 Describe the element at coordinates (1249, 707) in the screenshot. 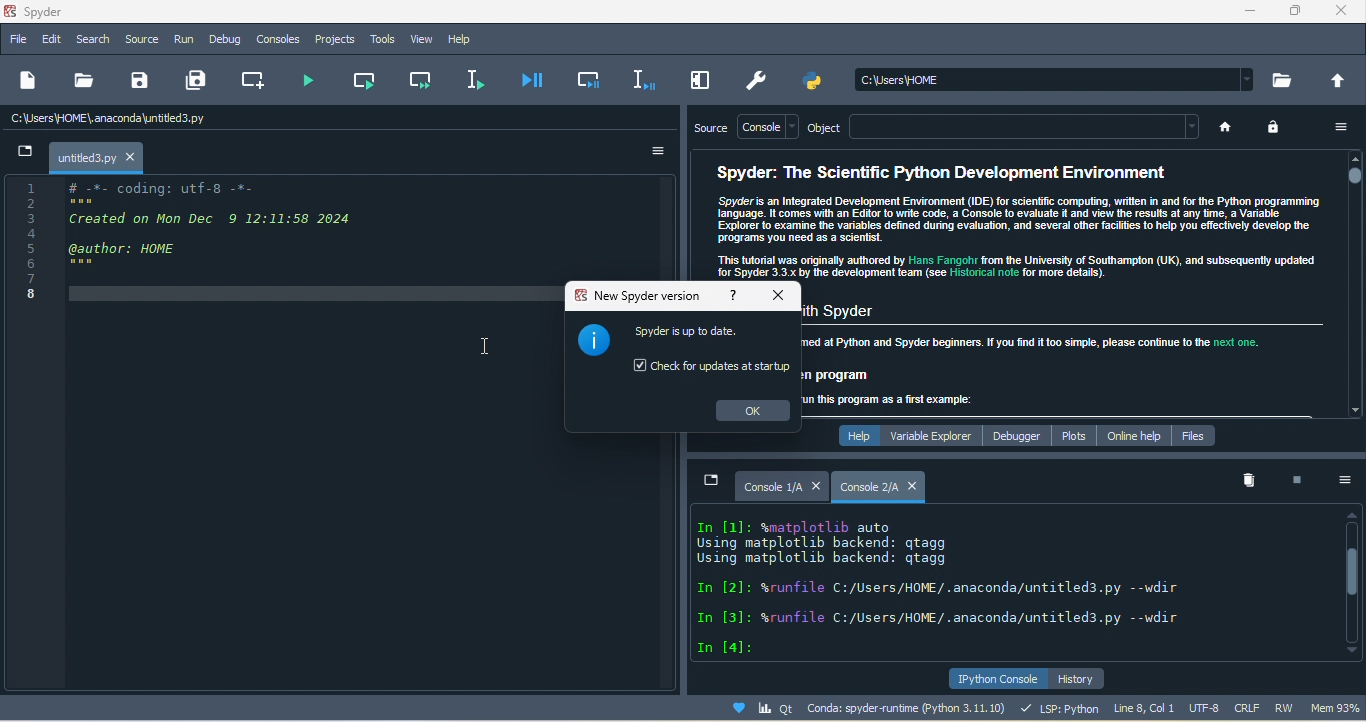

I see `crlf` at that location.